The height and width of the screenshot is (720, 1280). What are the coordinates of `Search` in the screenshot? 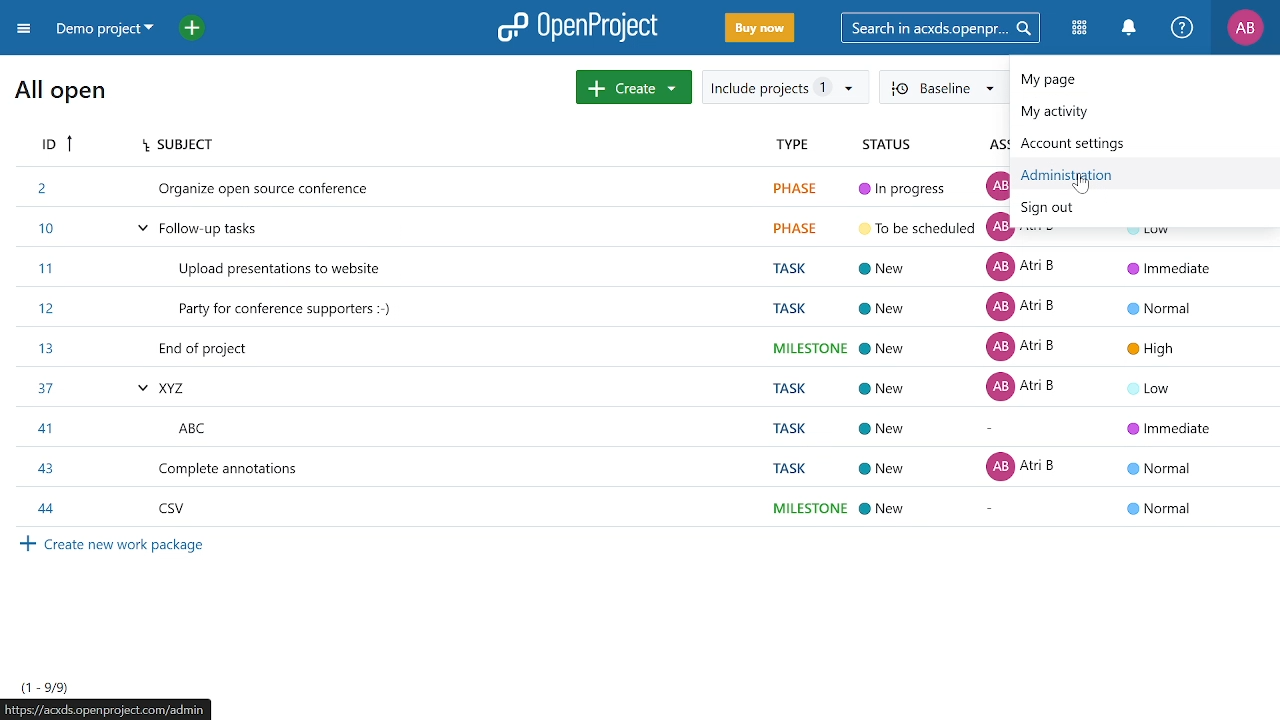 It's located at (947, 27).